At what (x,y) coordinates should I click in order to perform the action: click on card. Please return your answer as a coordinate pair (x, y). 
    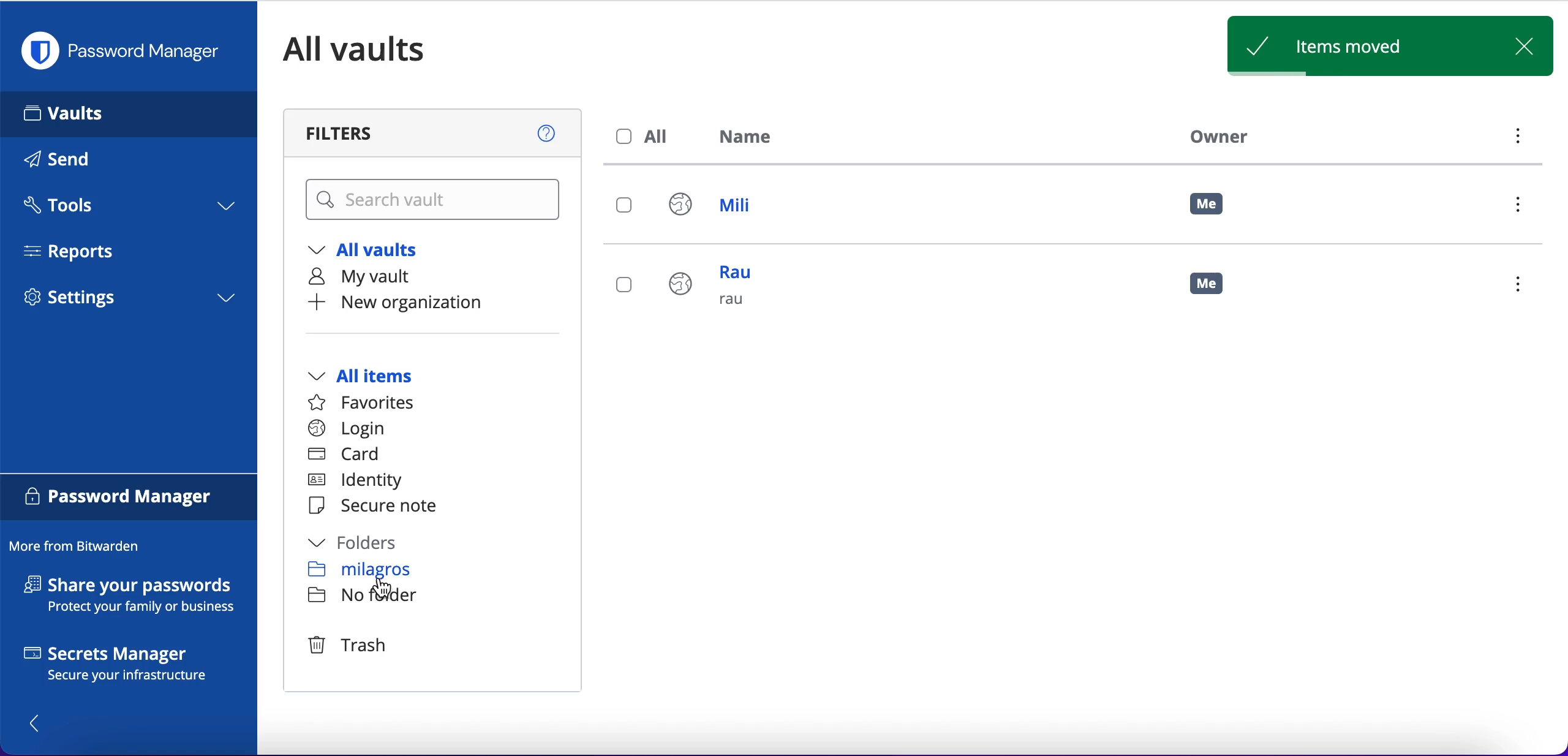
    Looking at the image, I should click on (349, 455).